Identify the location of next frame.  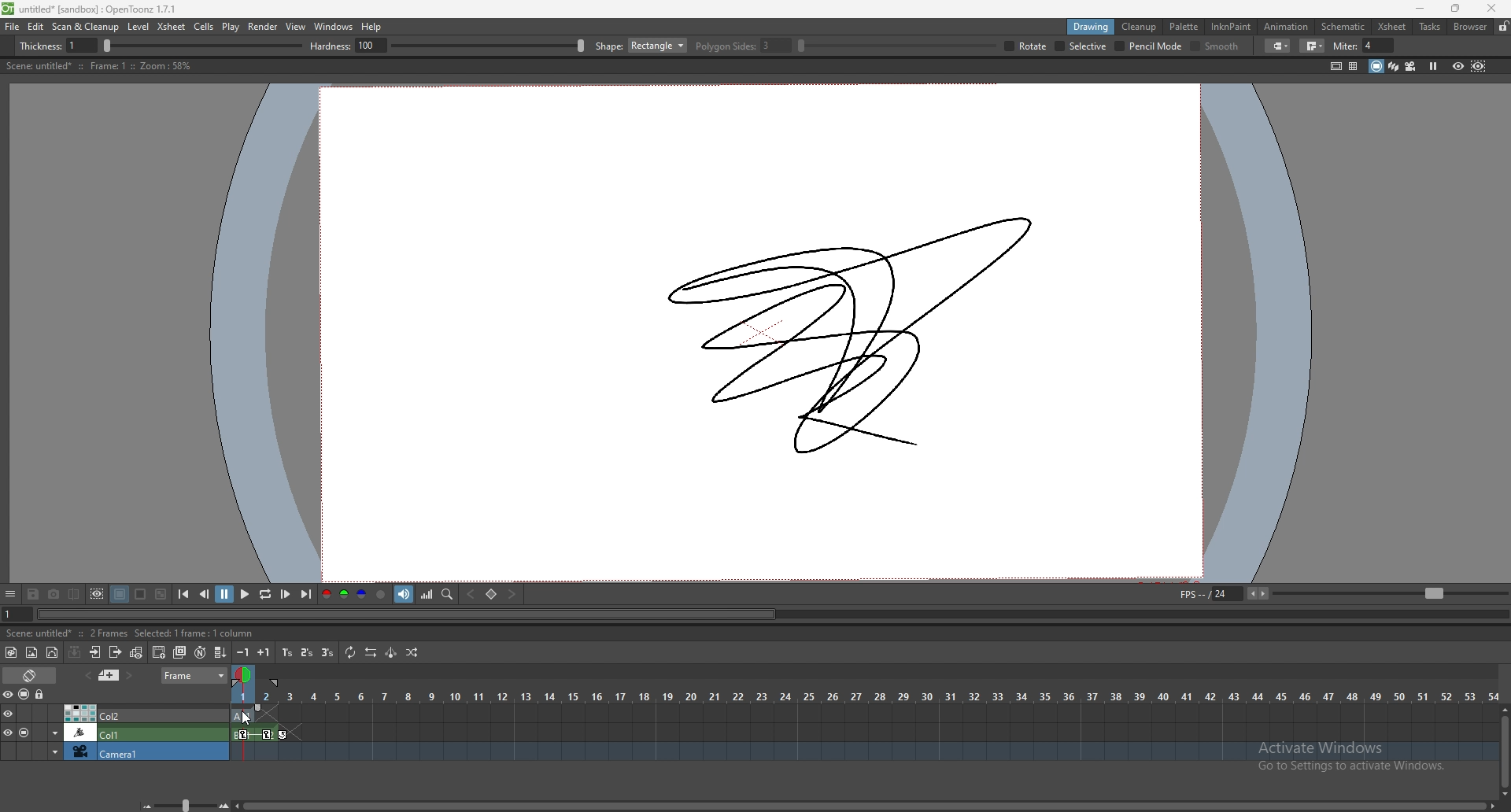
(286, 594).